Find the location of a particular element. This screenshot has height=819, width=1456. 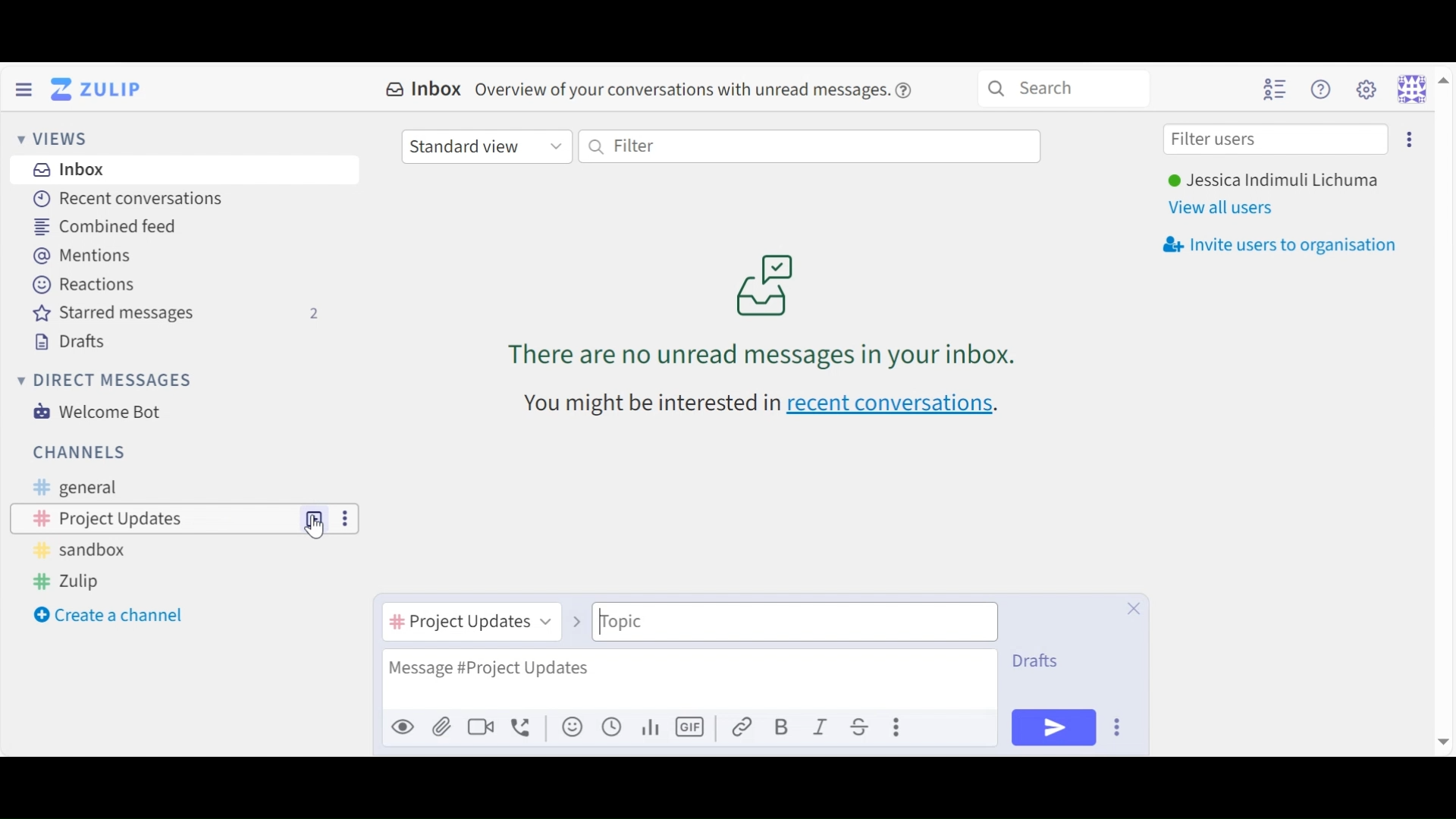

link is located at coordinates (742, 726).